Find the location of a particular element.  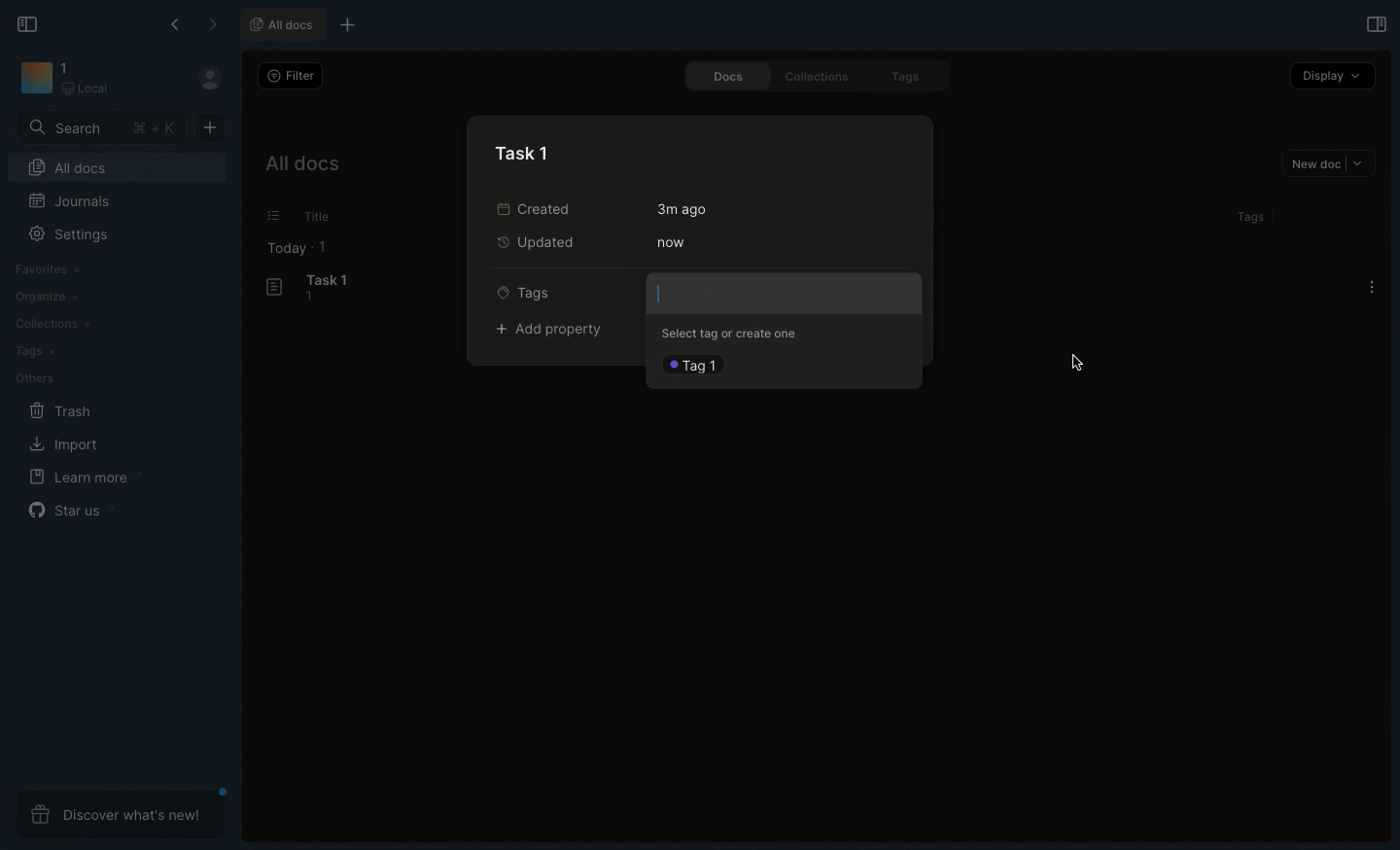

All docs is located at coordinates (285, 26).